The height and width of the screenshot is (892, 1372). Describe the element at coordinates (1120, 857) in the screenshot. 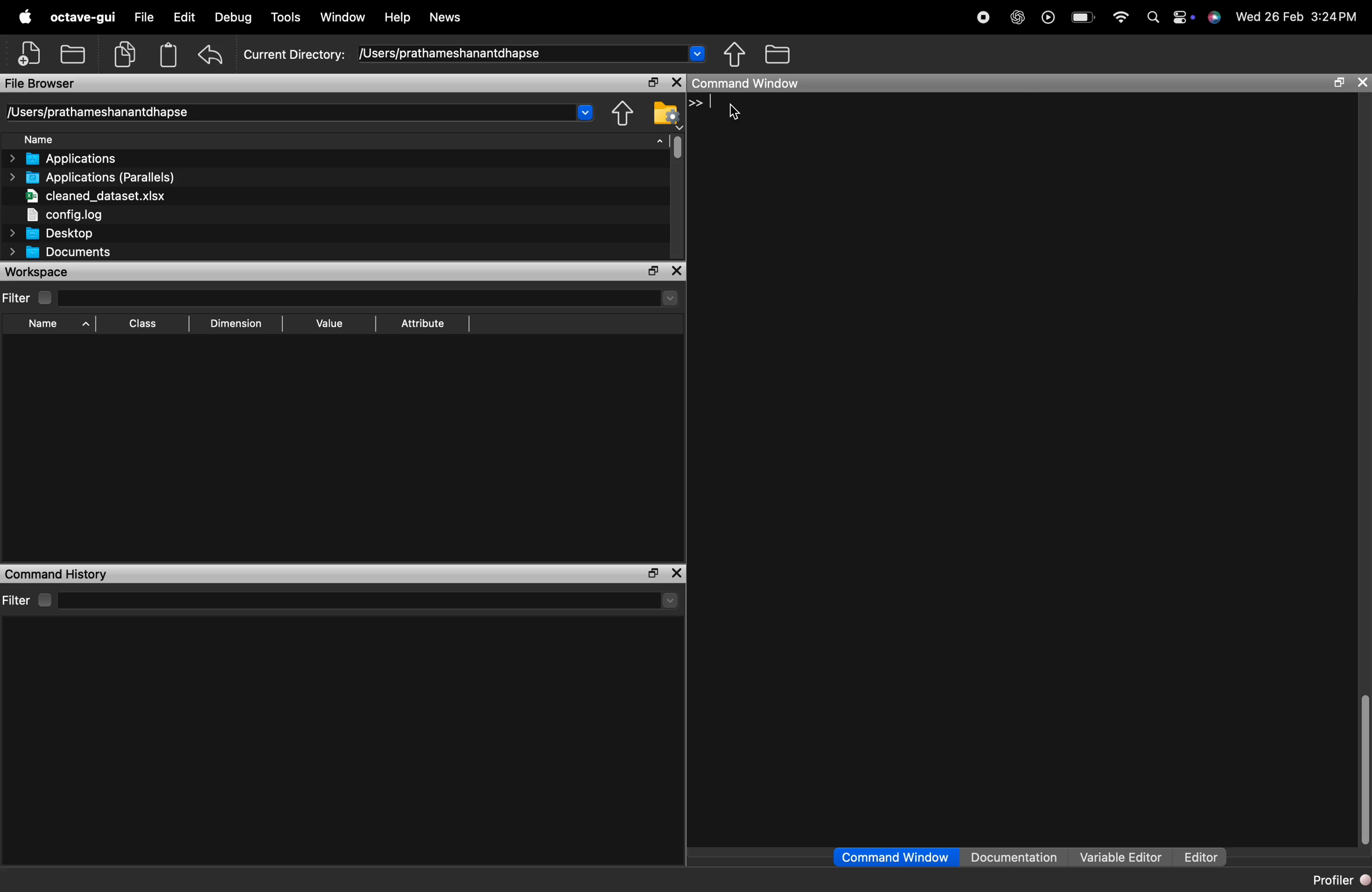

I see `Variable Editor` at that location.